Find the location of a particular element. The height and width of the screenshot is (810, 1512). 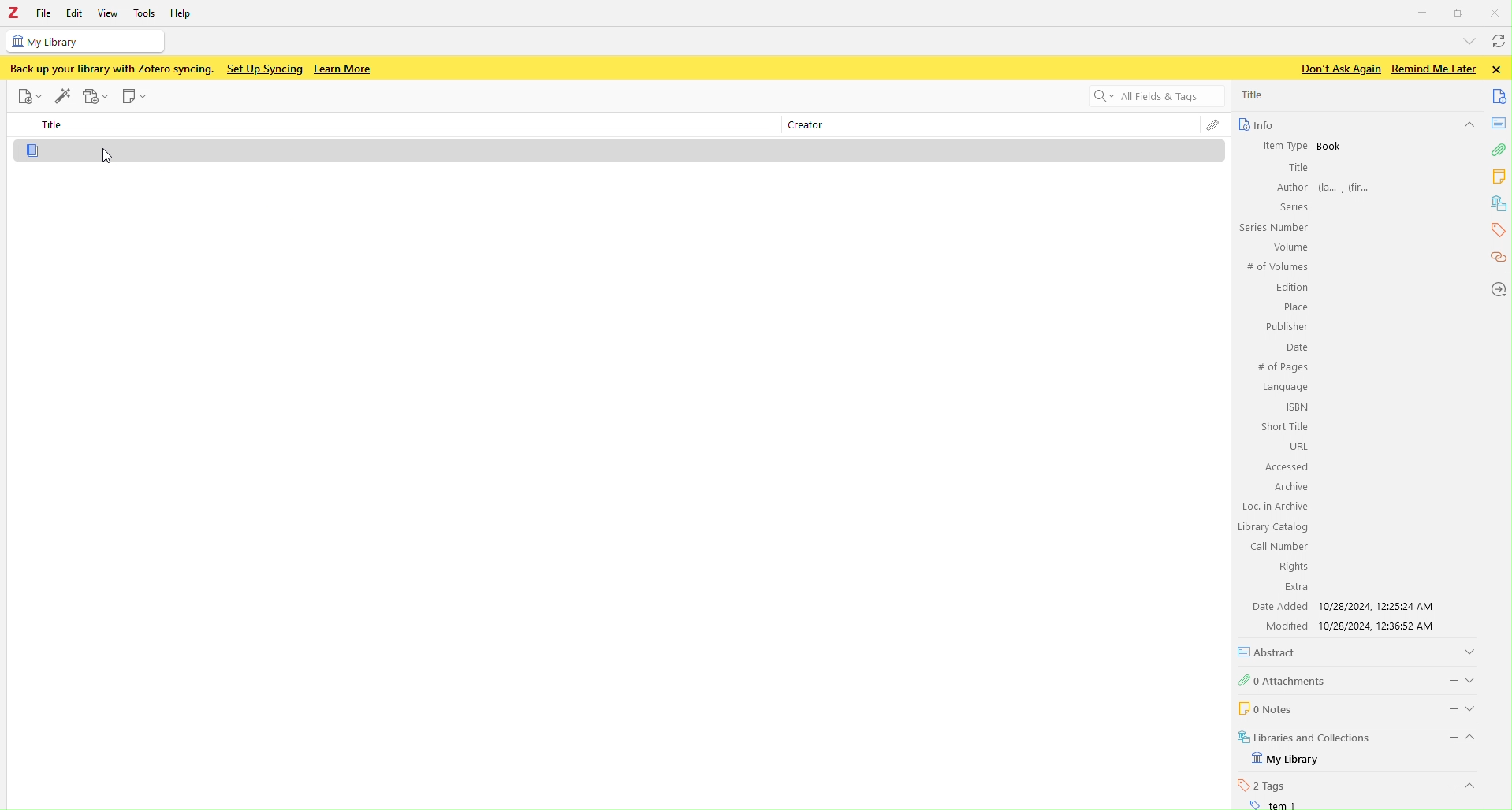

Info is located at coordinates (1255, 124).